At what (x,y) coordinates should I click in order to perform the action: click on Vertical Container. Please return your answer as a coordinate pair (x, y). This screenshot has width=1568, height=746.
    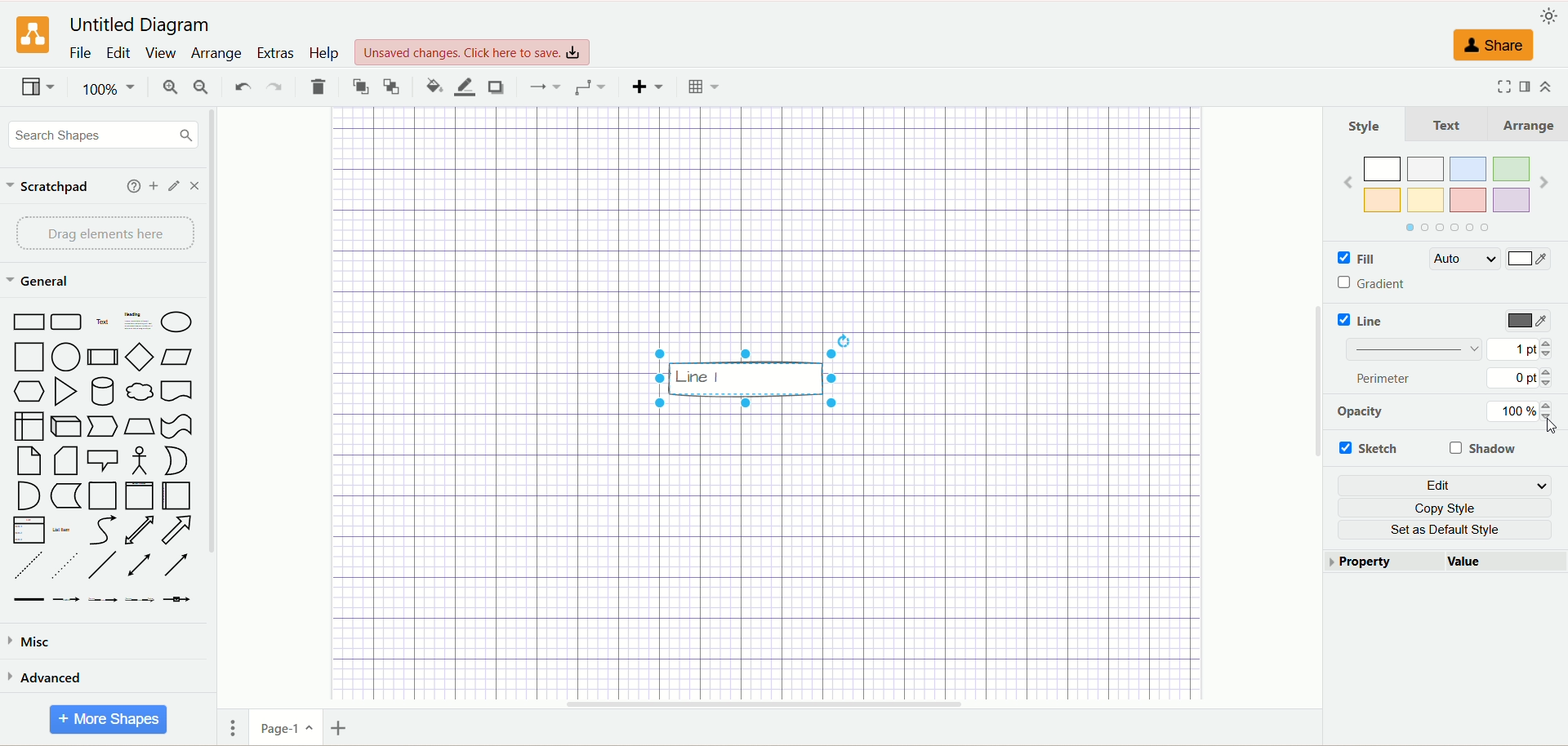
    Looking at the image, I should click on (140, 496).